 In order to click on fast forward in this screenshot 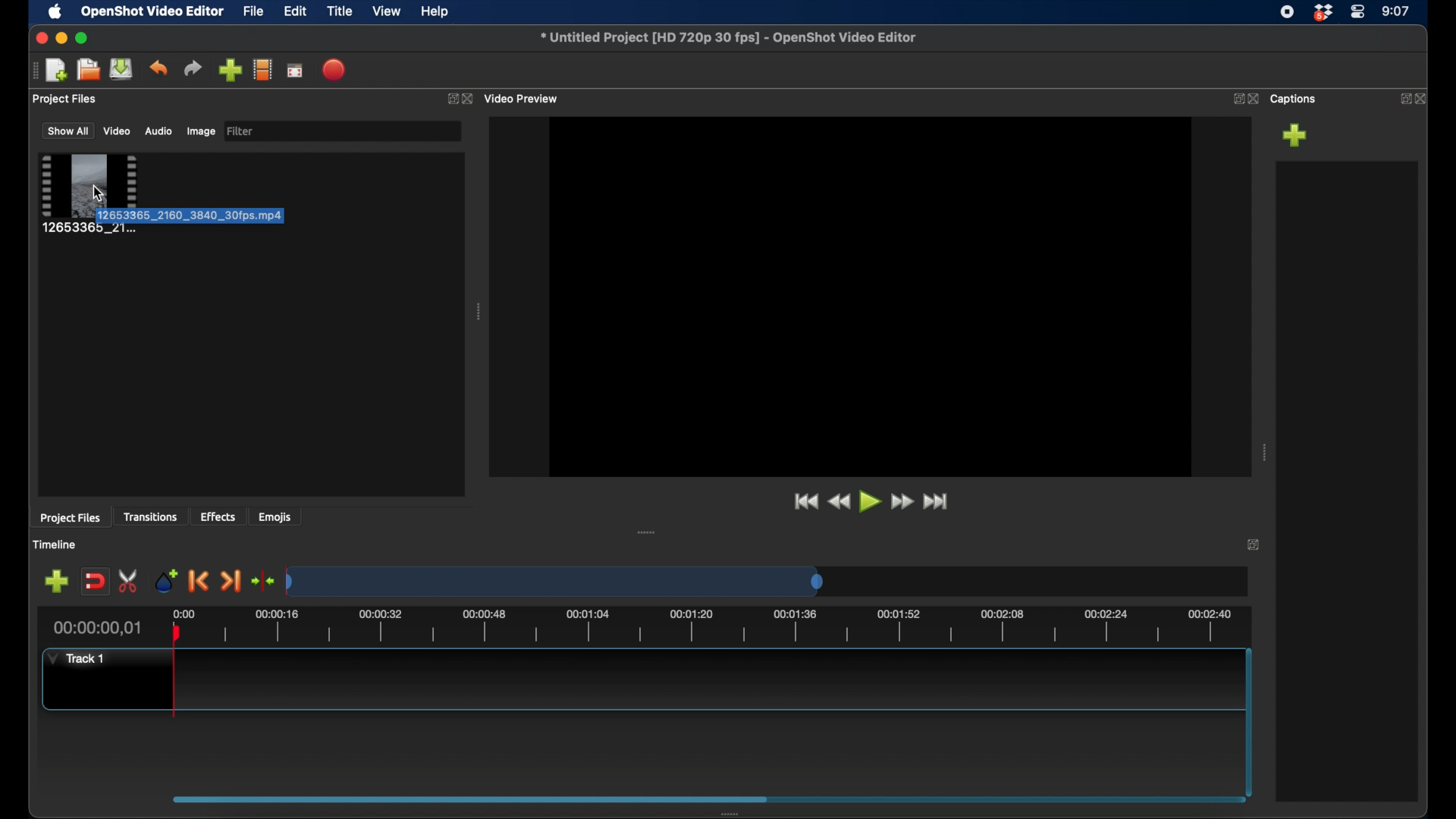, I will do `click(903, 501)`.